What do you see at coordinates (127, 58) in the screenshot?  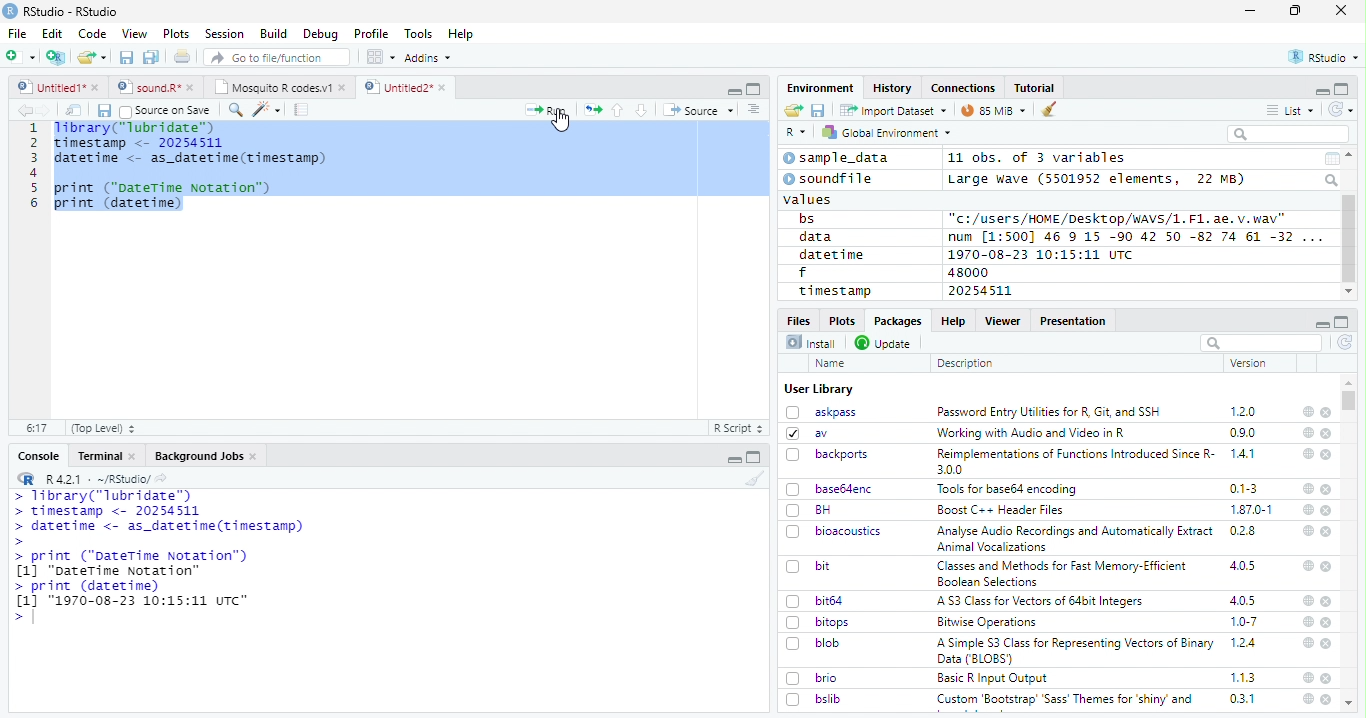 I see `Save the current document` at bounding box center [127, 58].